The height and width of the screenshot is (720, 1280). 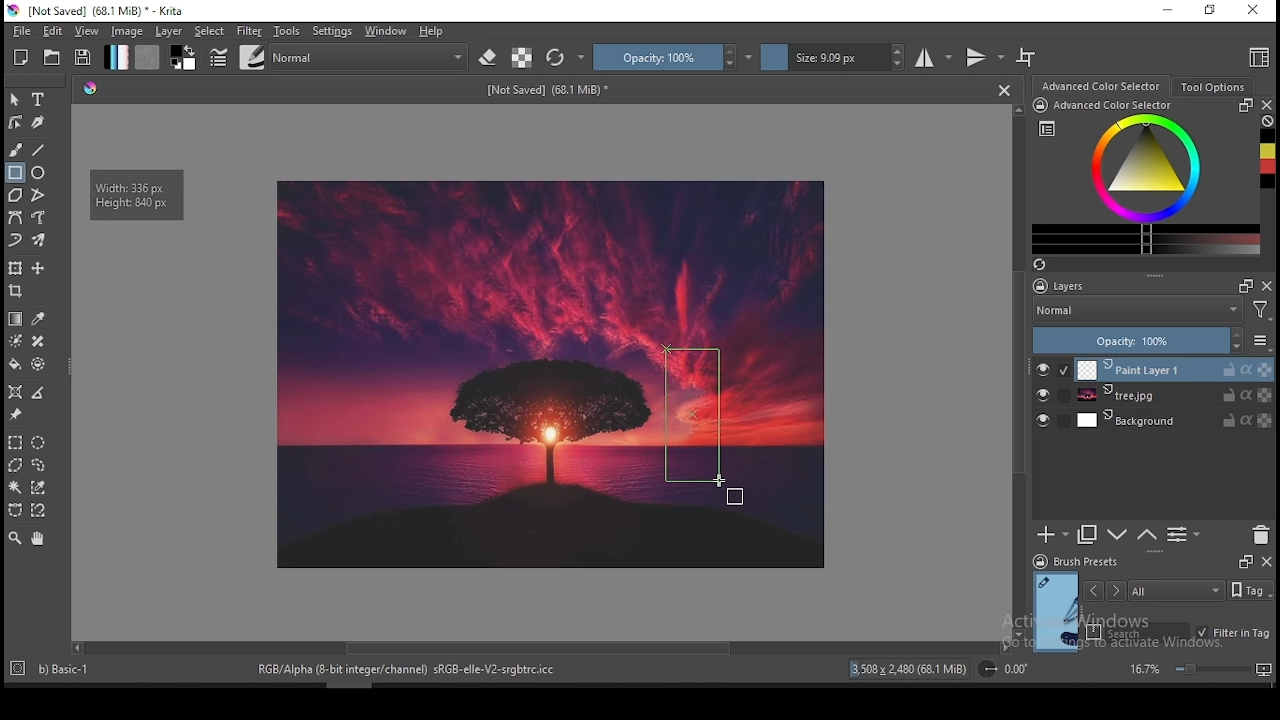 I want to click on window, so click(x=386, y=31).